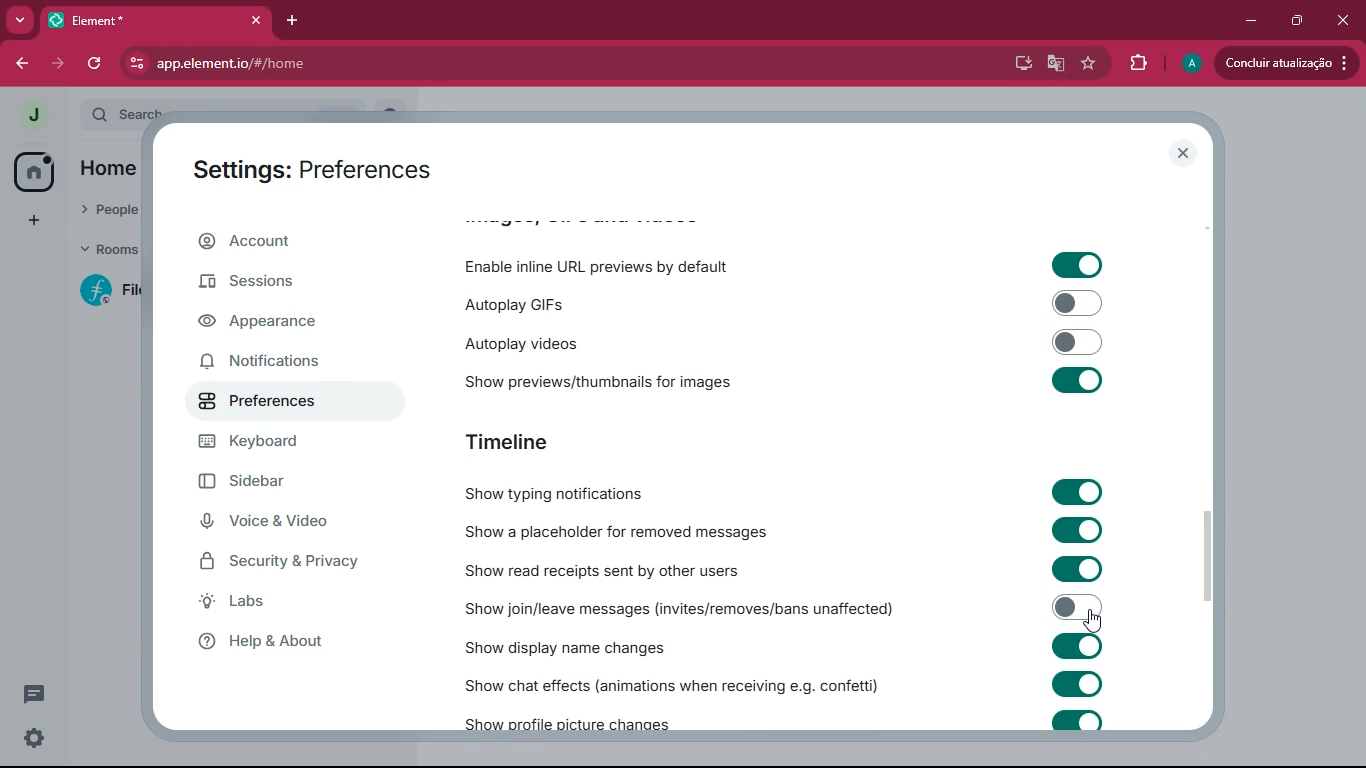  I want to click on toggle on/off, so click(1077, 265).